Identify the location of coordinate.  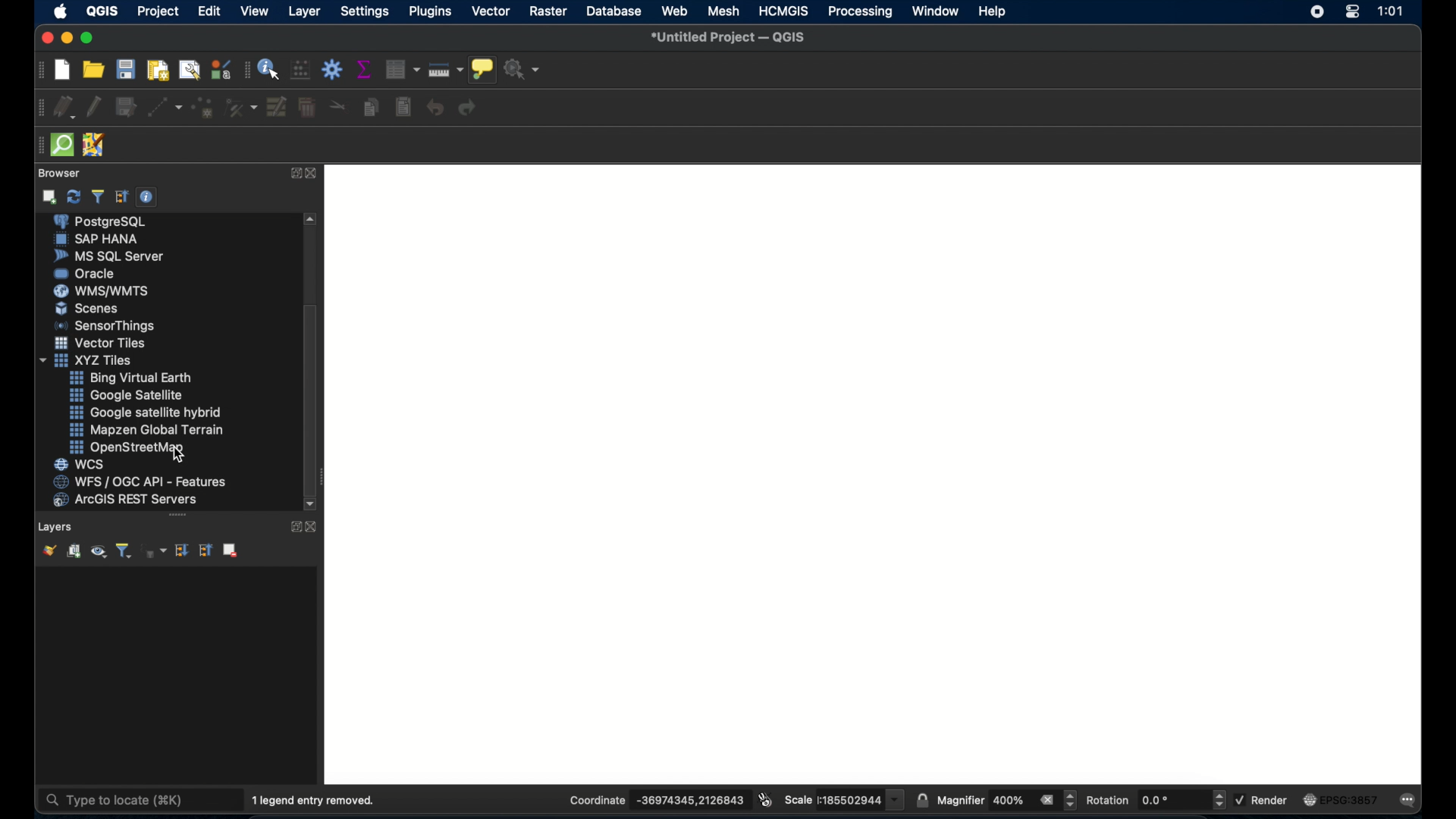
(656, 800).